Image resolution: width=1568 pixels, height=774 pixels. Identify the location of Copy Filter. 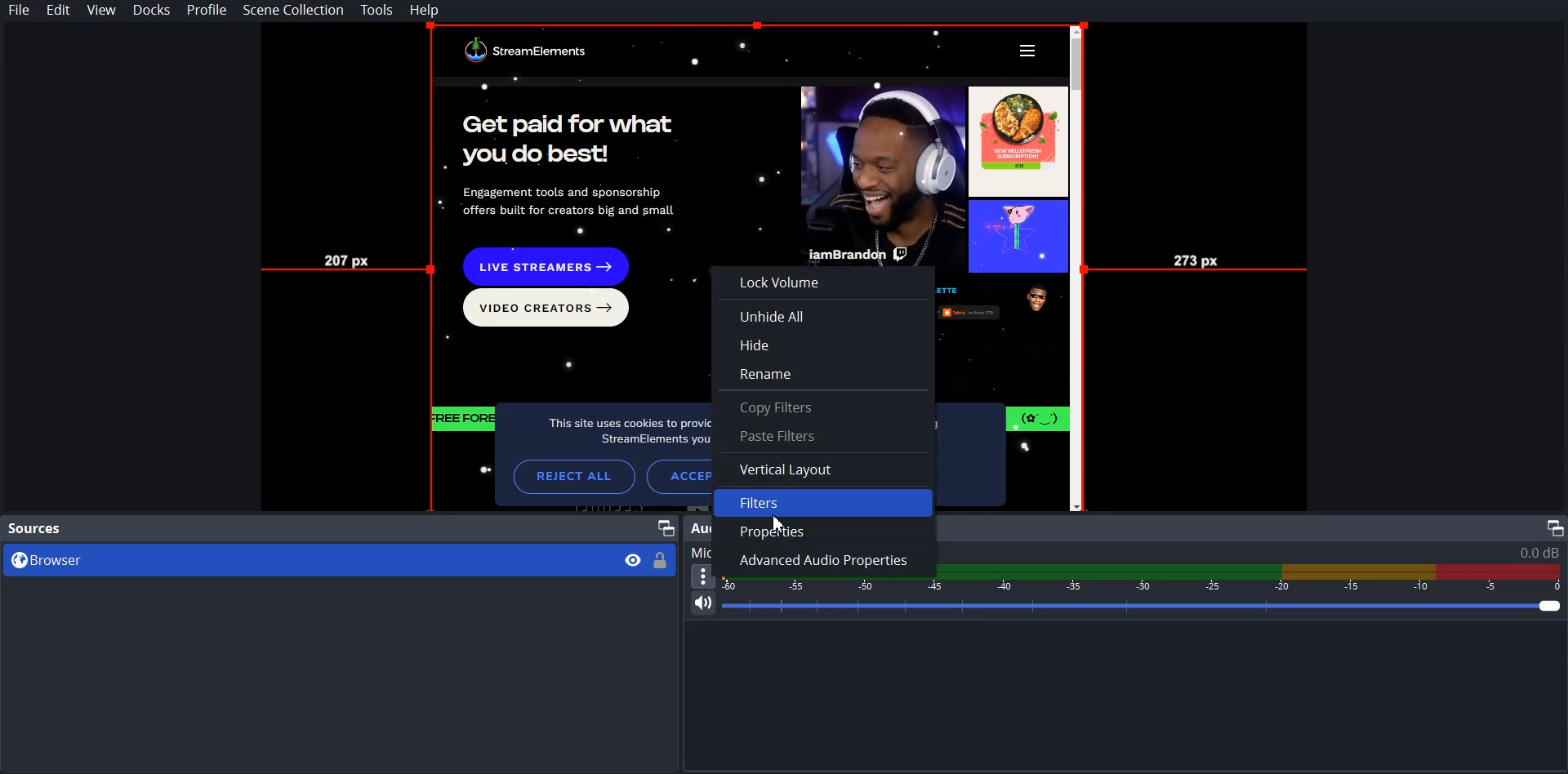
(822, 407).